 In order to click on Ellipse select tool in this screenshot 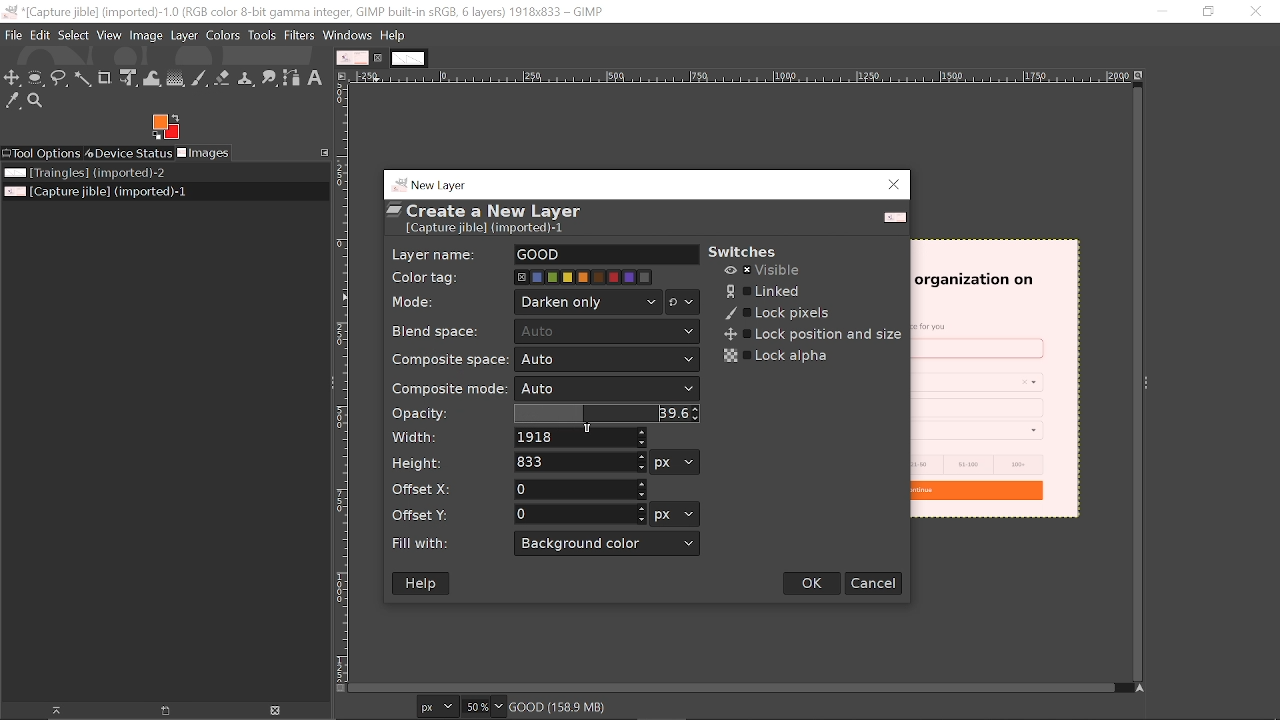, I will do `click(36, 79)`.